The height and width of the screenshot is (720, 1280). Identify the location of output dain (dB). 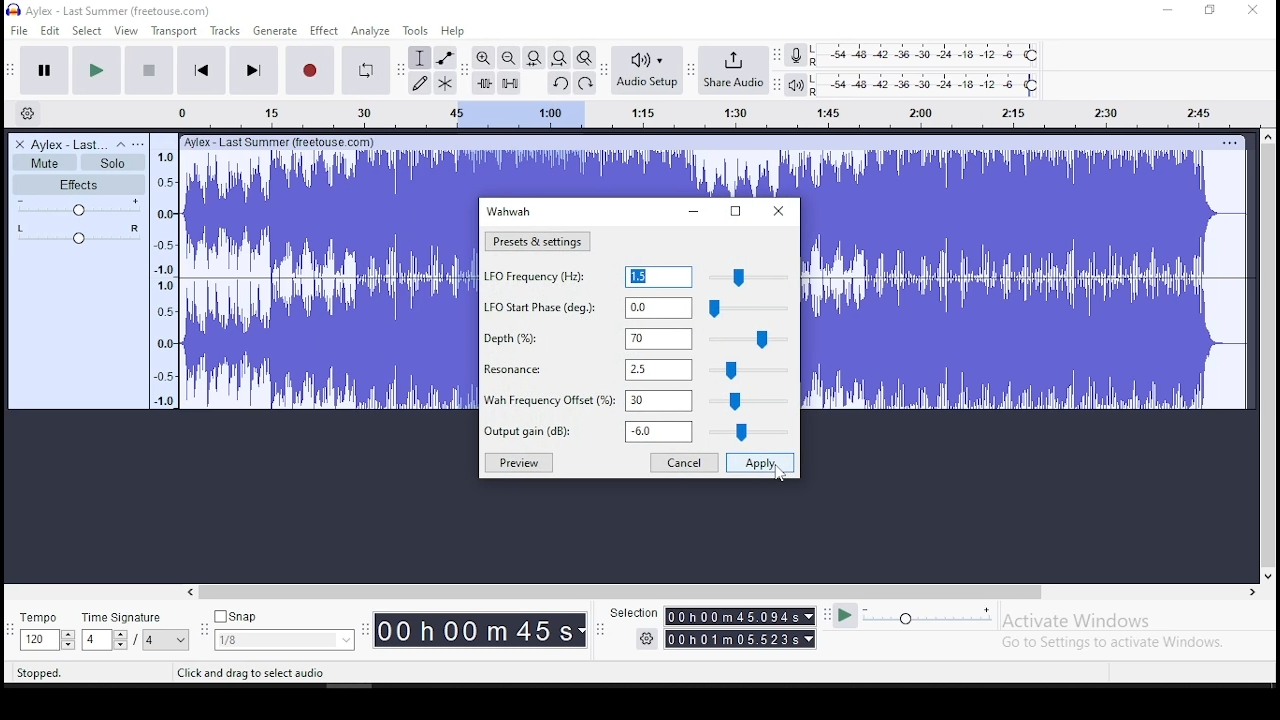
(585, 431).